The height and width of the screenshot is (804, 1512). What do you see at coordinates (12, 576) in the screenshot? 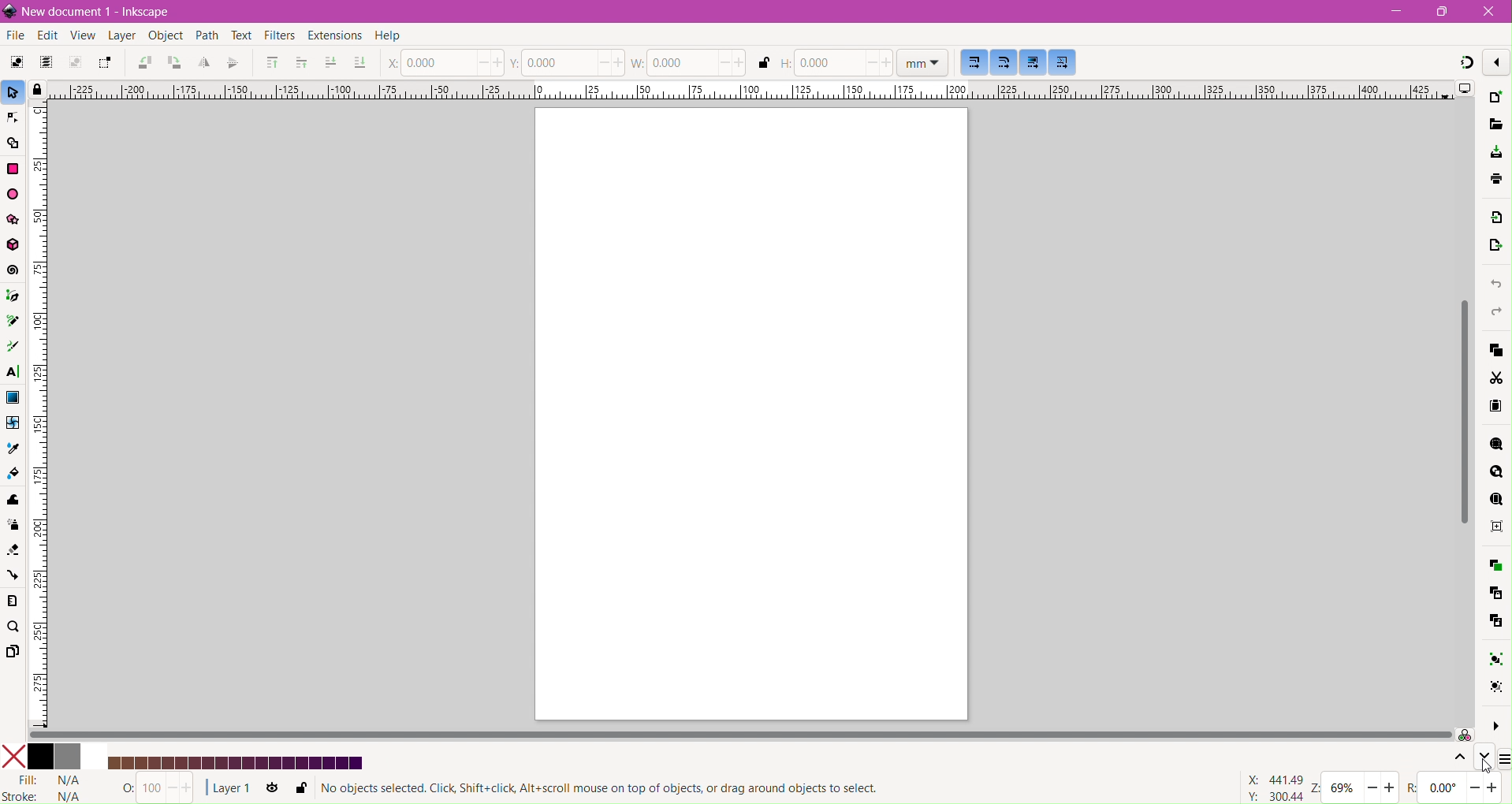
I see `Connector Tool` at bounding box center [12, 576].